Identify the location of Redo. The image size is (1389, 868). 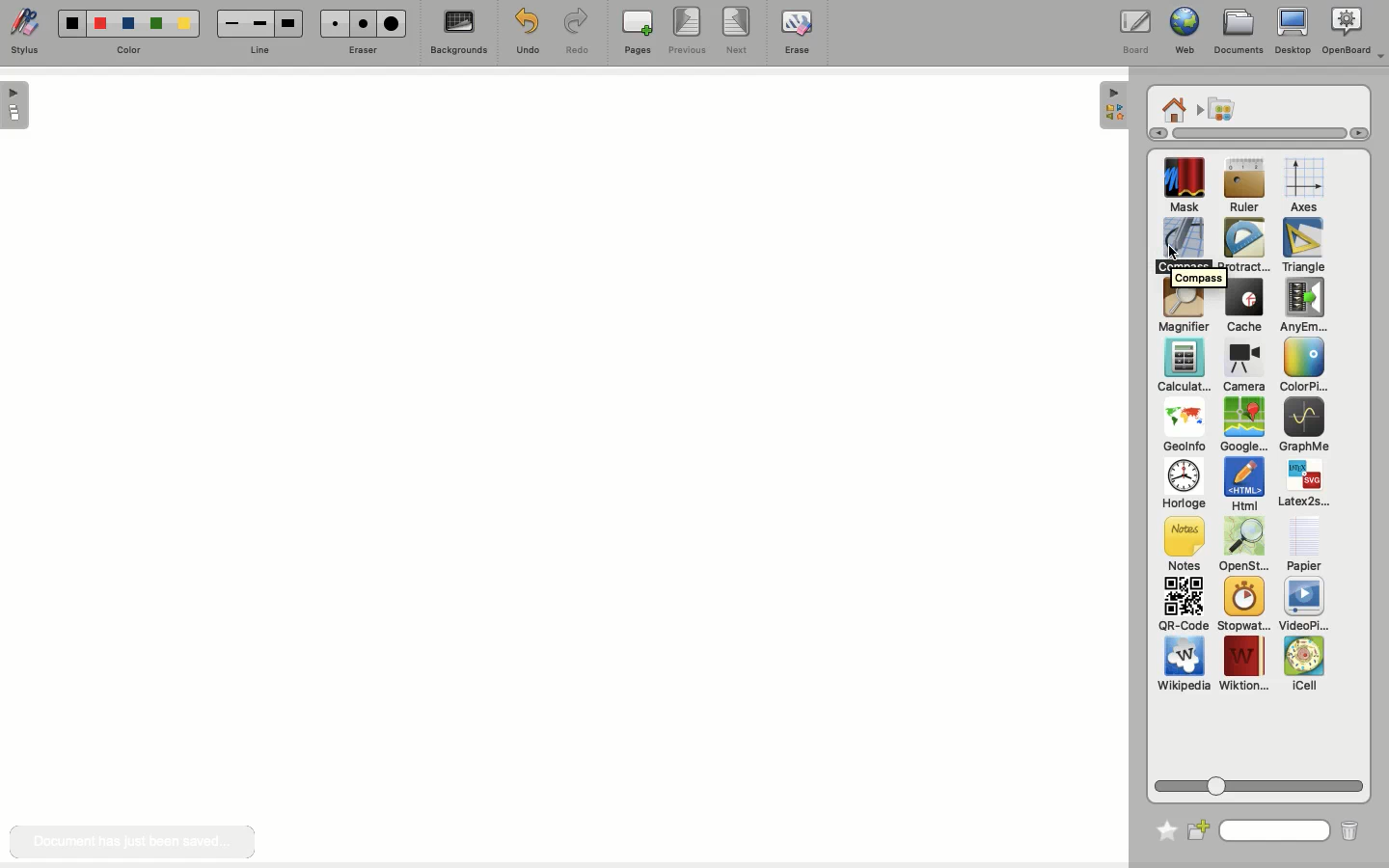
(578, 33).